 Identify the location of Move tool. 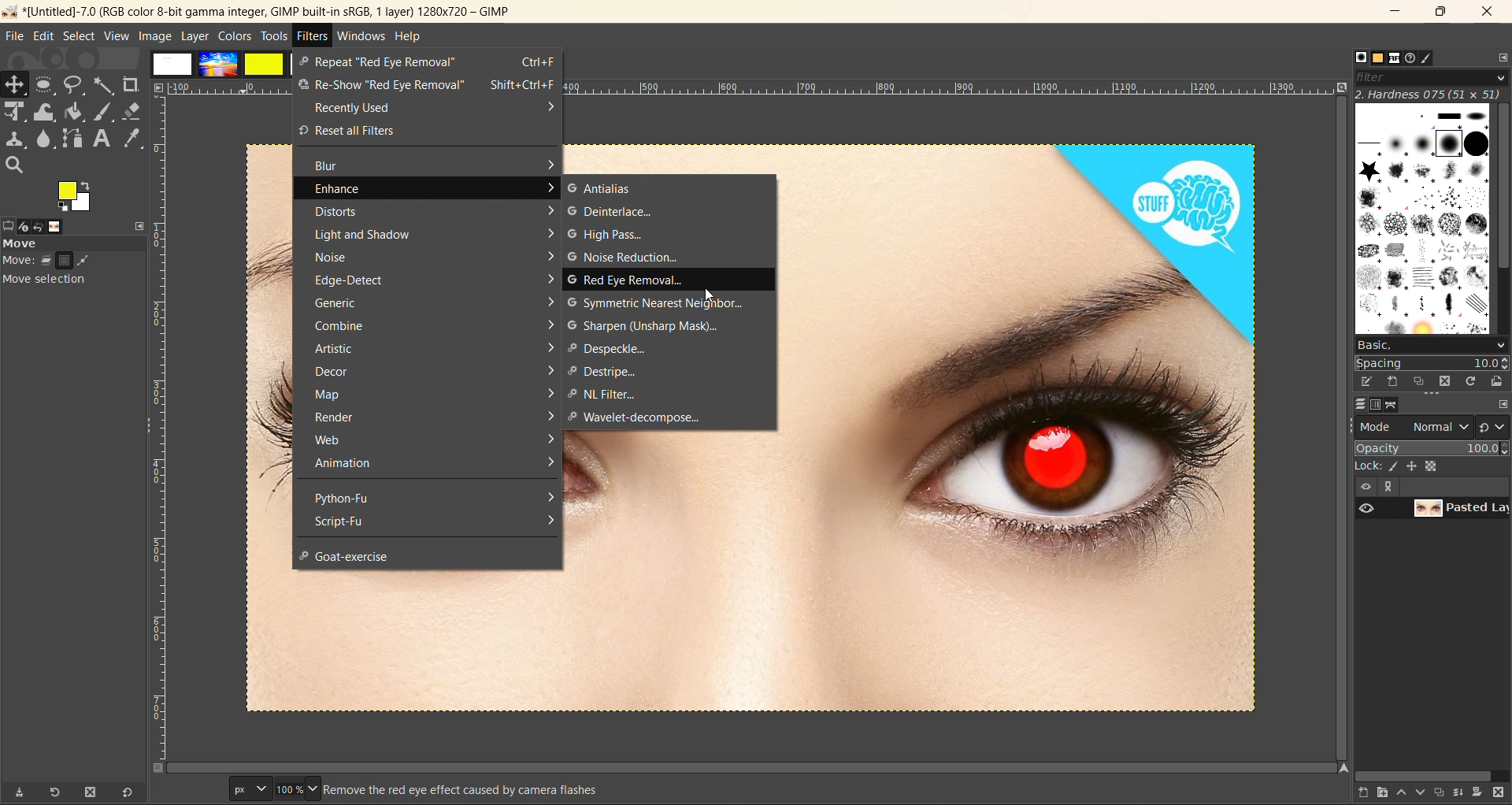
(17, 84).